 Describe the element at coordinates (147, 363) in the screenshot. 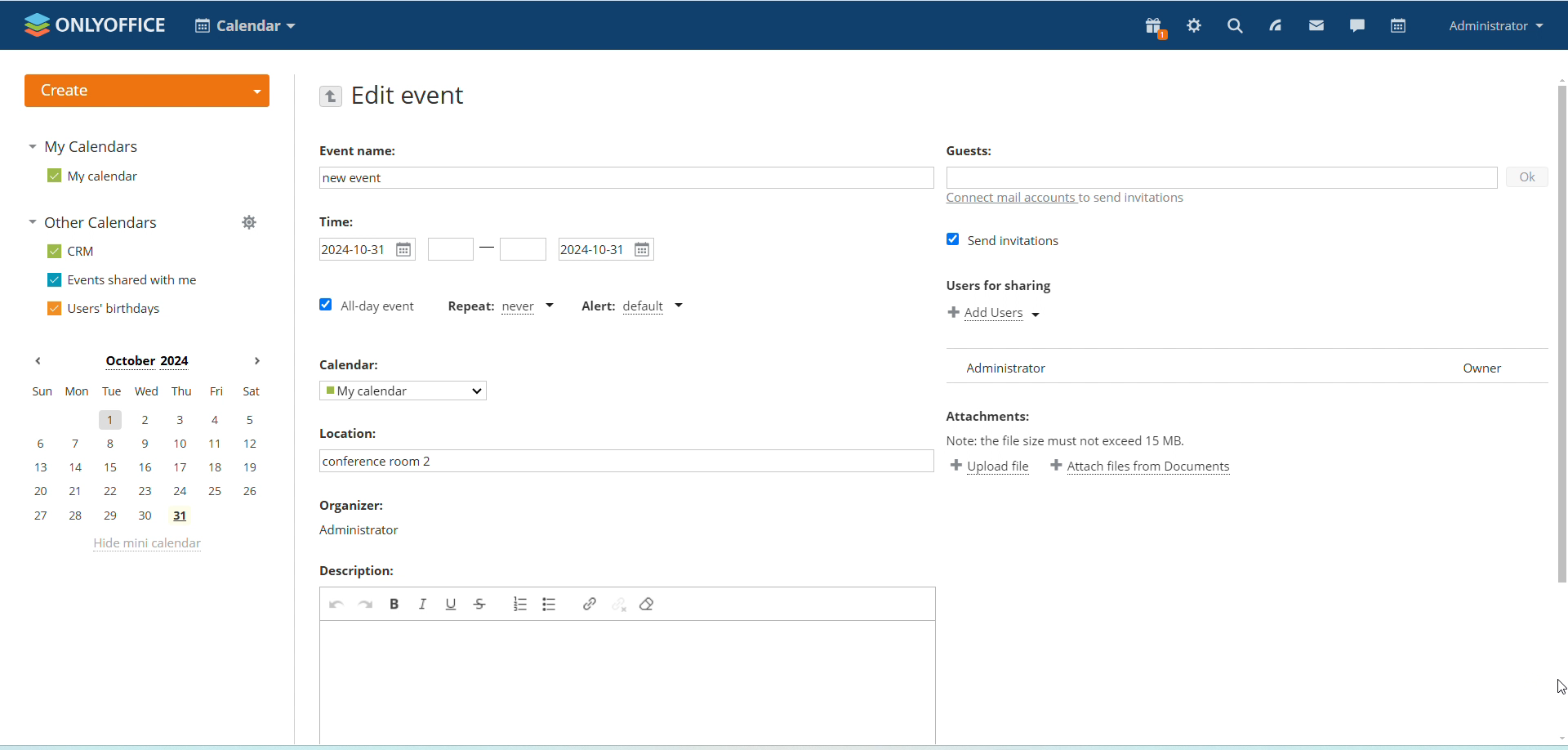

I see `month on display` at that location.